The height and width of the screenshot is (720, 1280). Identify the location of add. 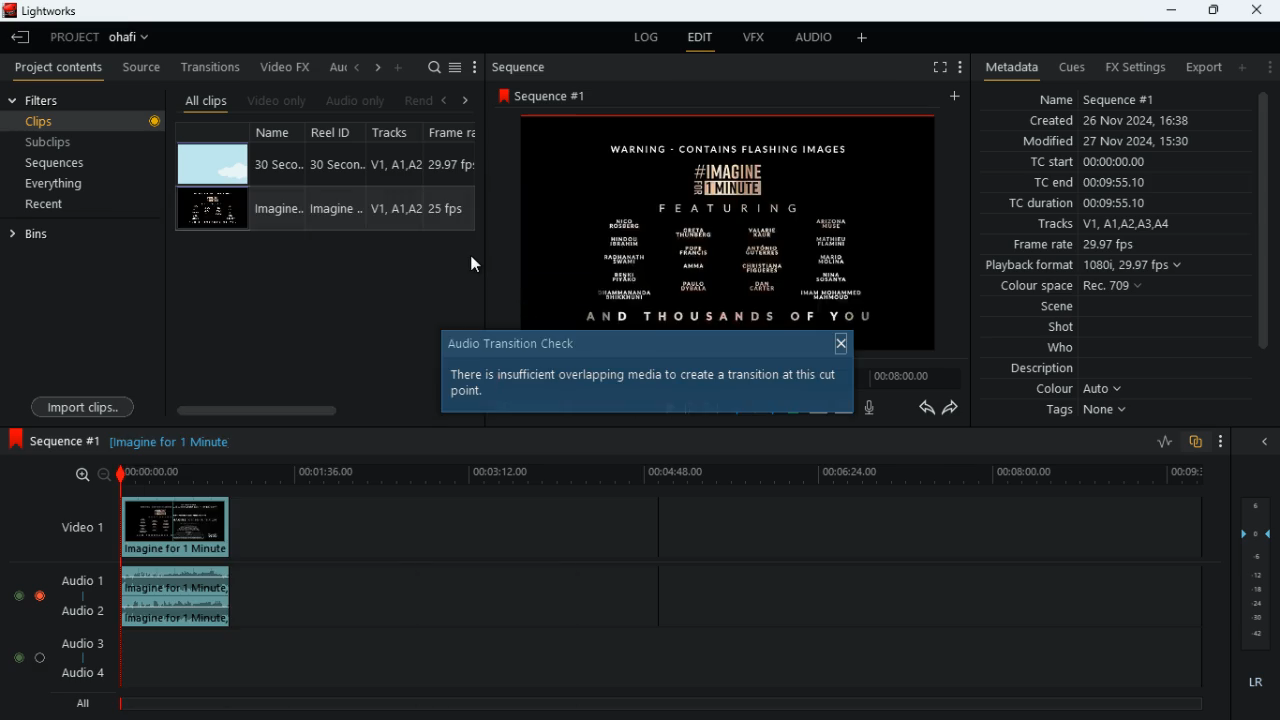
(1241, 67).